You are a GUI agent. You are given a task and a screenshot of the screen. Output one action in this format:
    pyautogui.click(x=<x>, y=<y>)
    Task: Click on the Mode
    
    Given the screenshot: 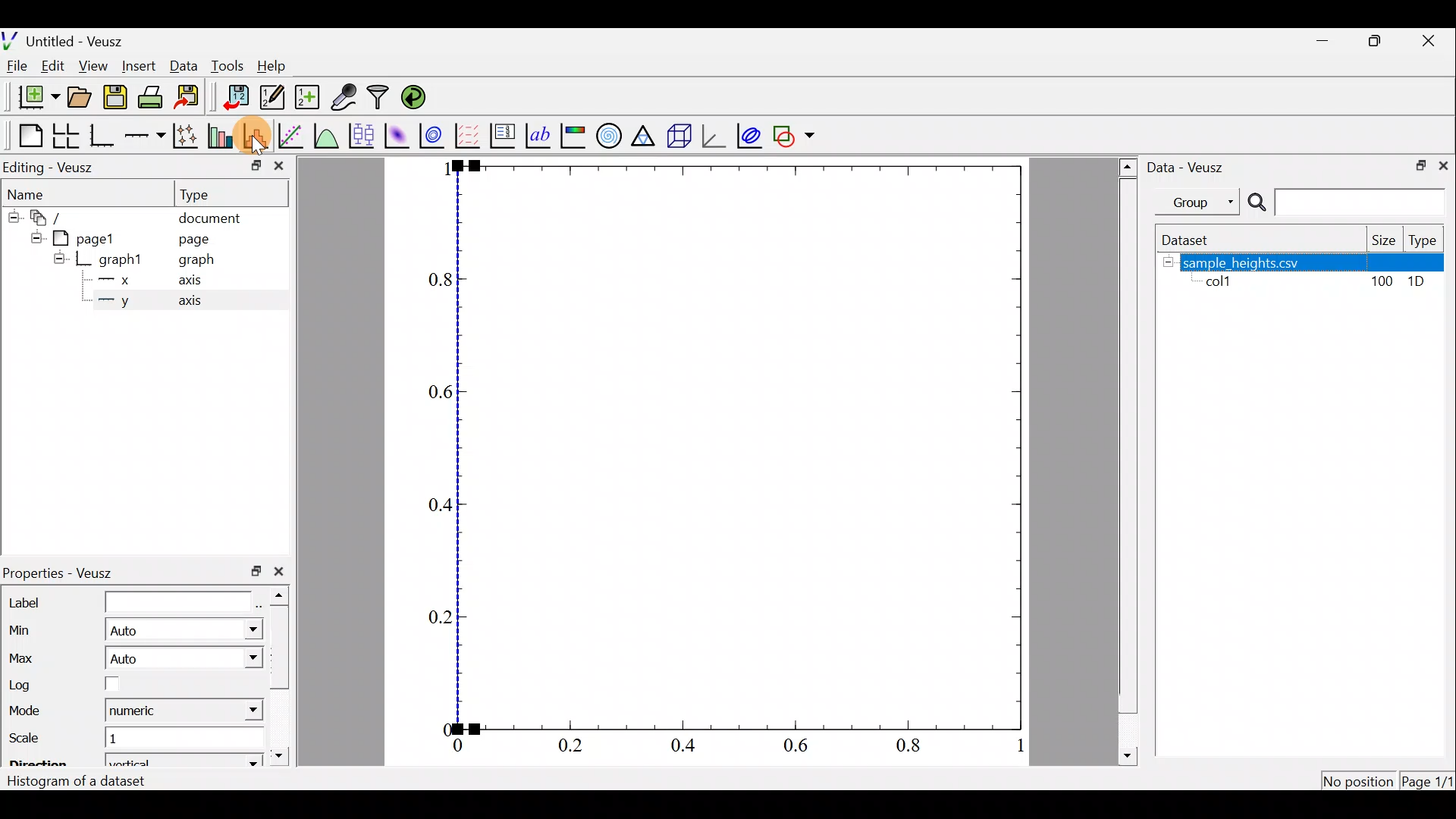 What is the action you would take?
    pyautogui.click(x=35, y=711)
    